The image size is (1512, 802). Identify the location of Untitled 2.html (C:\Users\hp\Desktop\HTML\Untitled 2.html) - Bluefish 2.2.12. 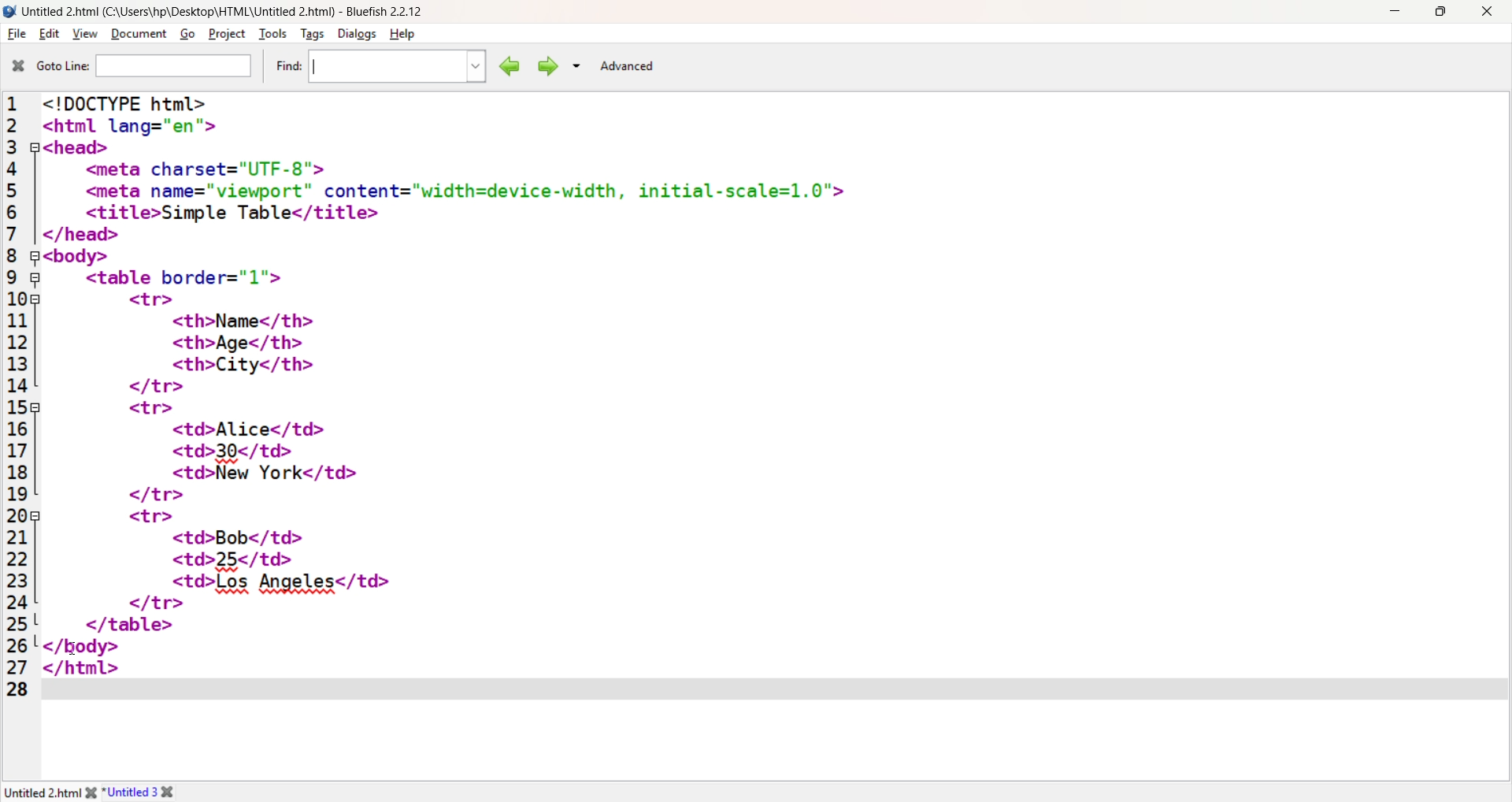
(229, 9).